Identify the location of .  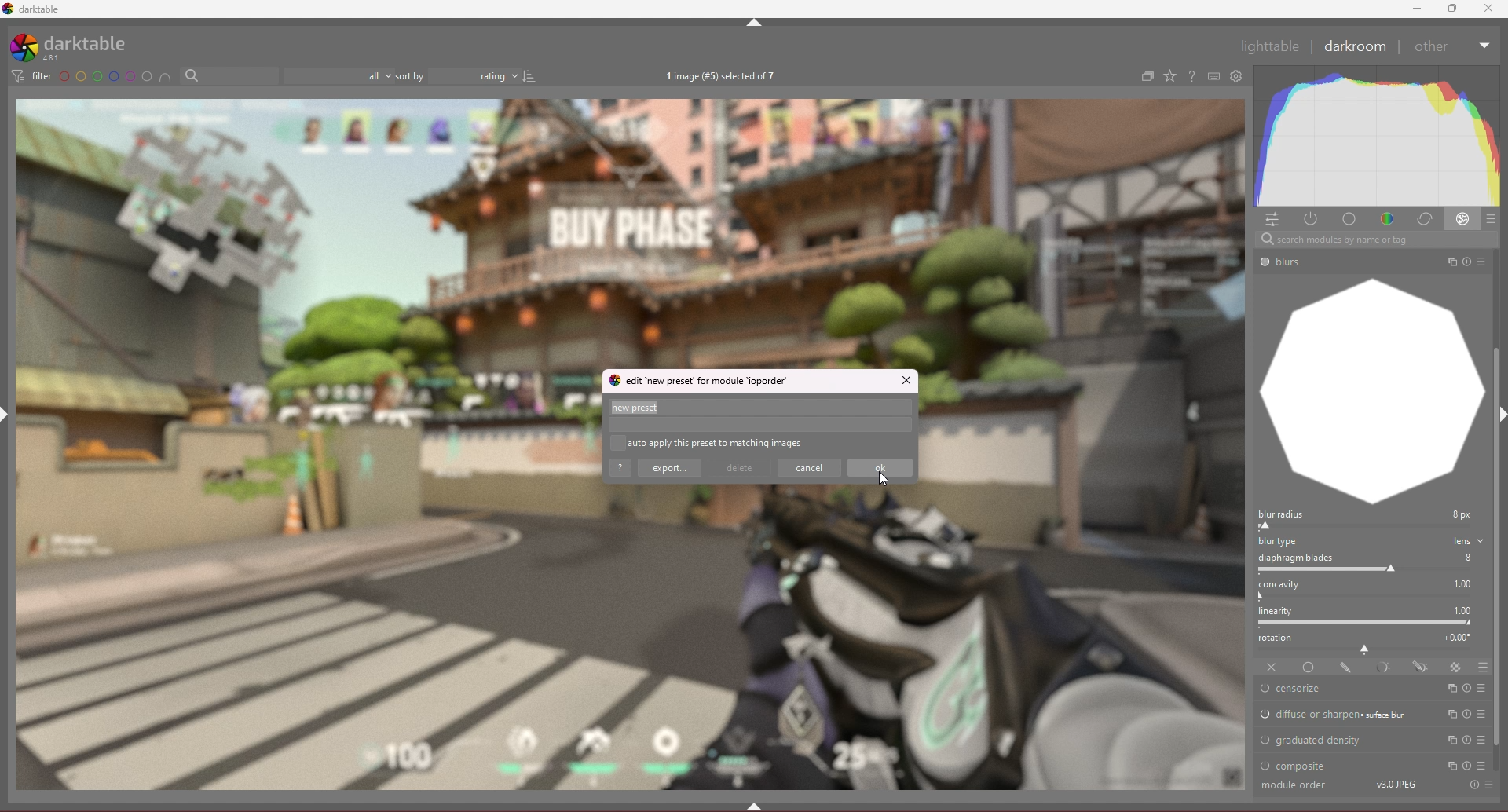
(1473, 785).